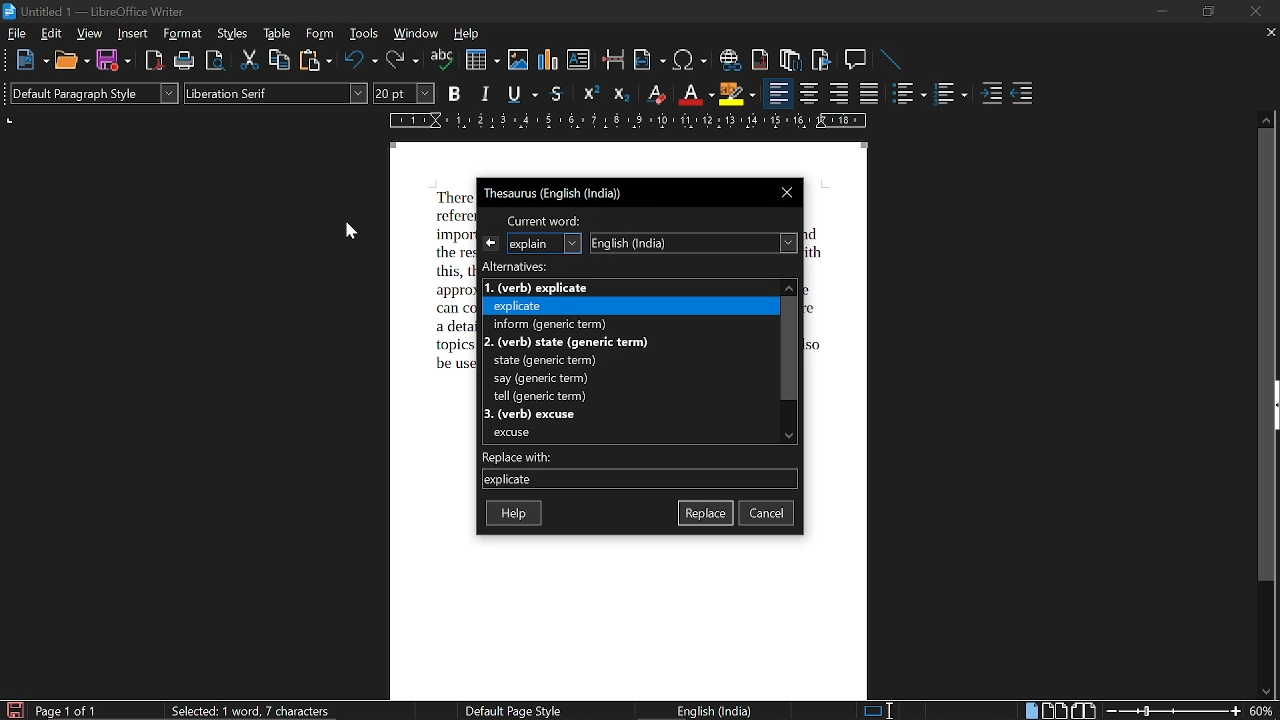 Image resolution: width=1280 pixels, height=720 pixels. What do you see at coordinates (134, 35) in the screenshot?
I see `insert` at bounding box center [134, 35].